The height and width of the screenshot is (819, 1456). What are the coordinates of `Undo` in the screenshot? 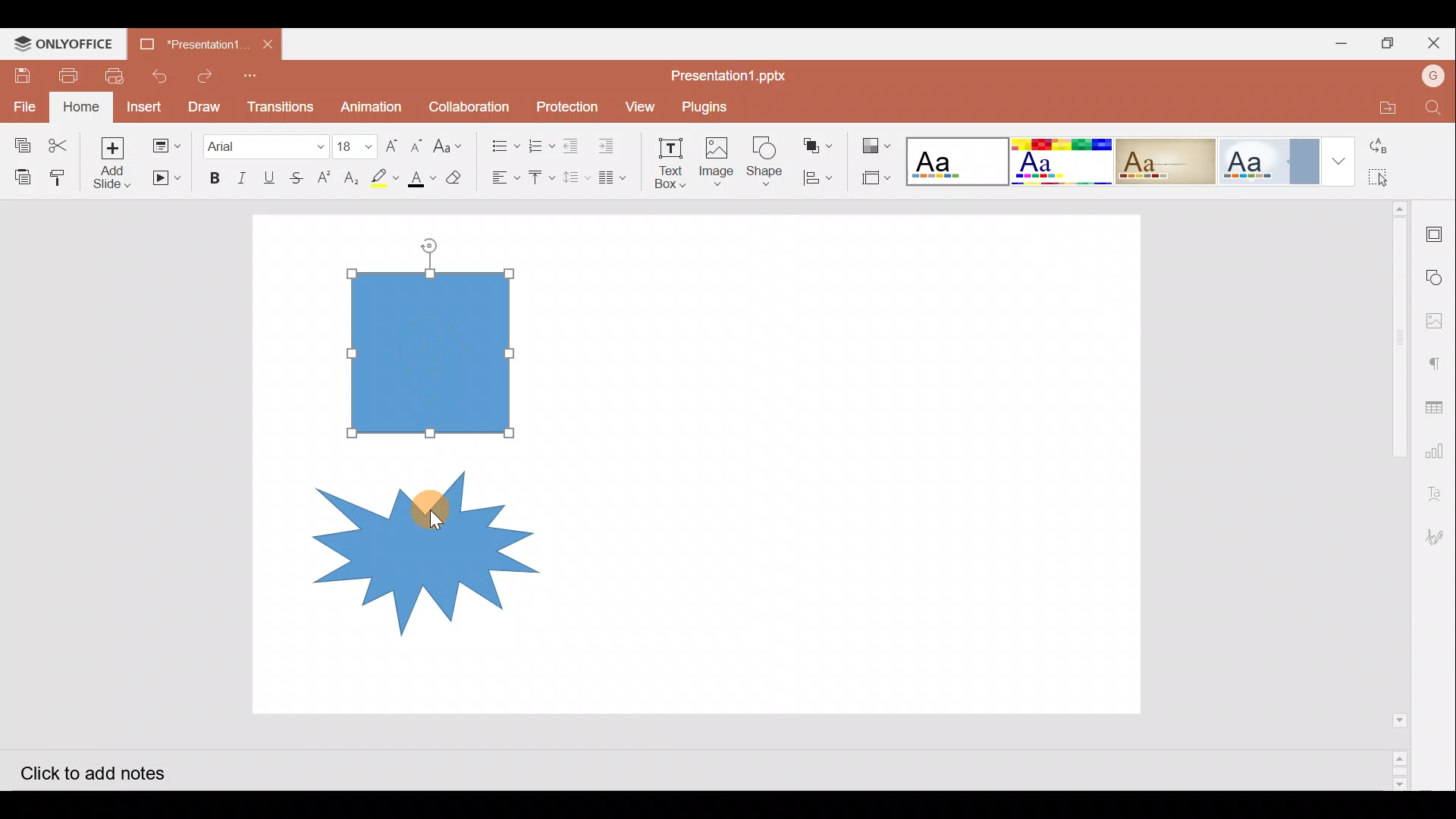 It's located at (160, 73).